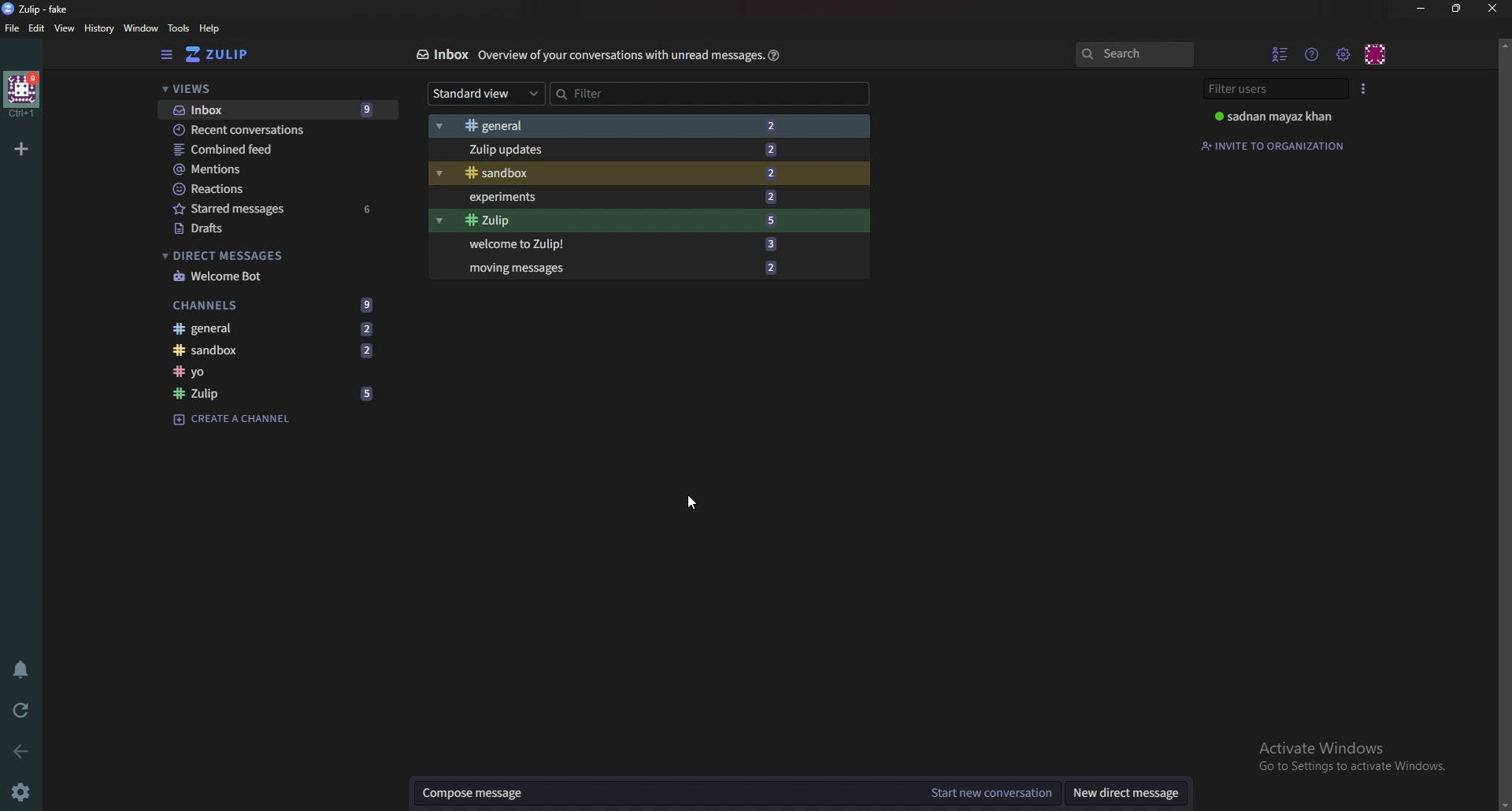 Image resolution: width=1512 pixels, height=811 pixels. What do you see at coordinates (36, 9) in the screenshot?
I see `Zulip` at bounding box center [36, 9].